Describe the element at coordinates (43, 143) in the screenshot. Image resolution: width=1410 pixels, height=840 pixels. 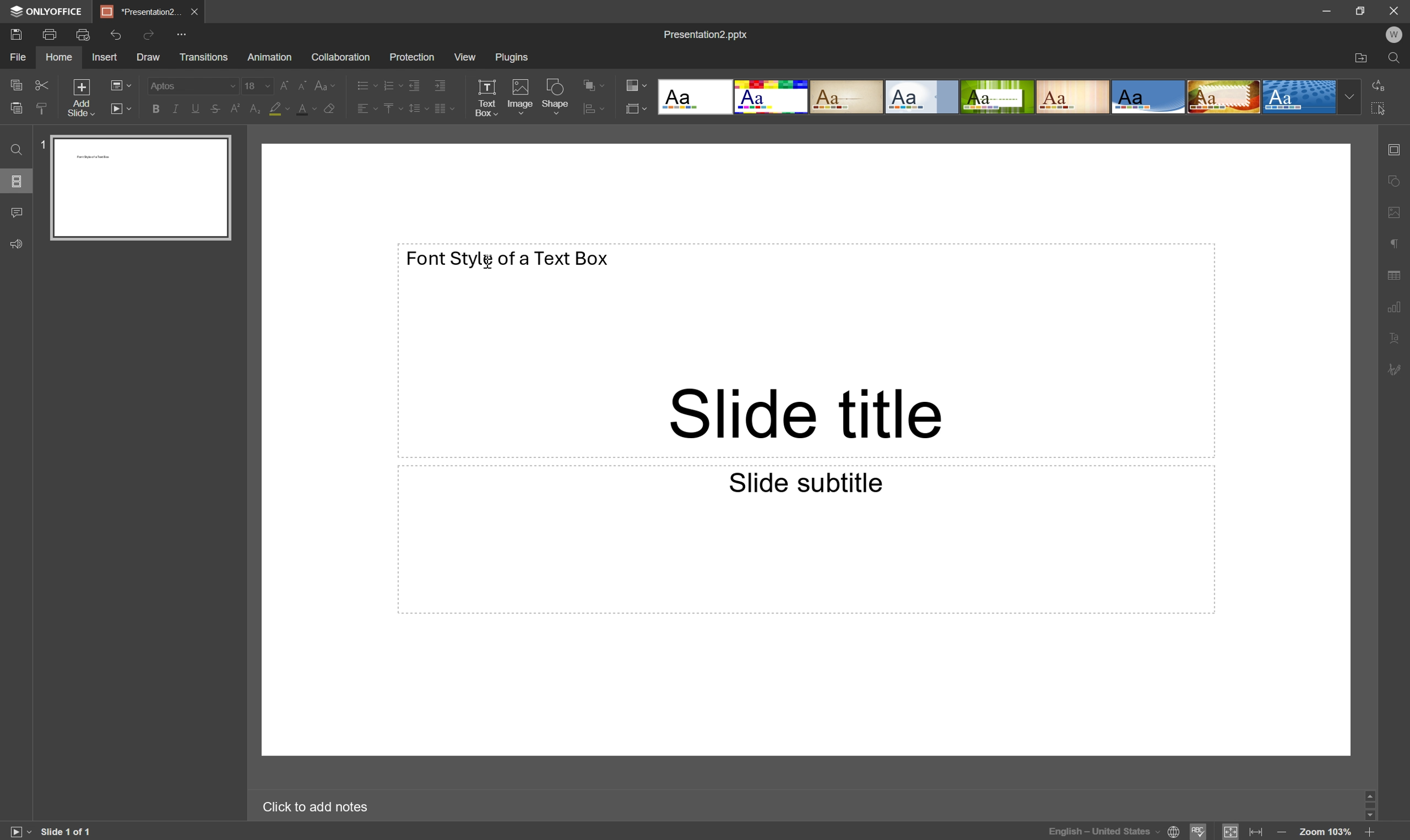
I see `1` at that location.